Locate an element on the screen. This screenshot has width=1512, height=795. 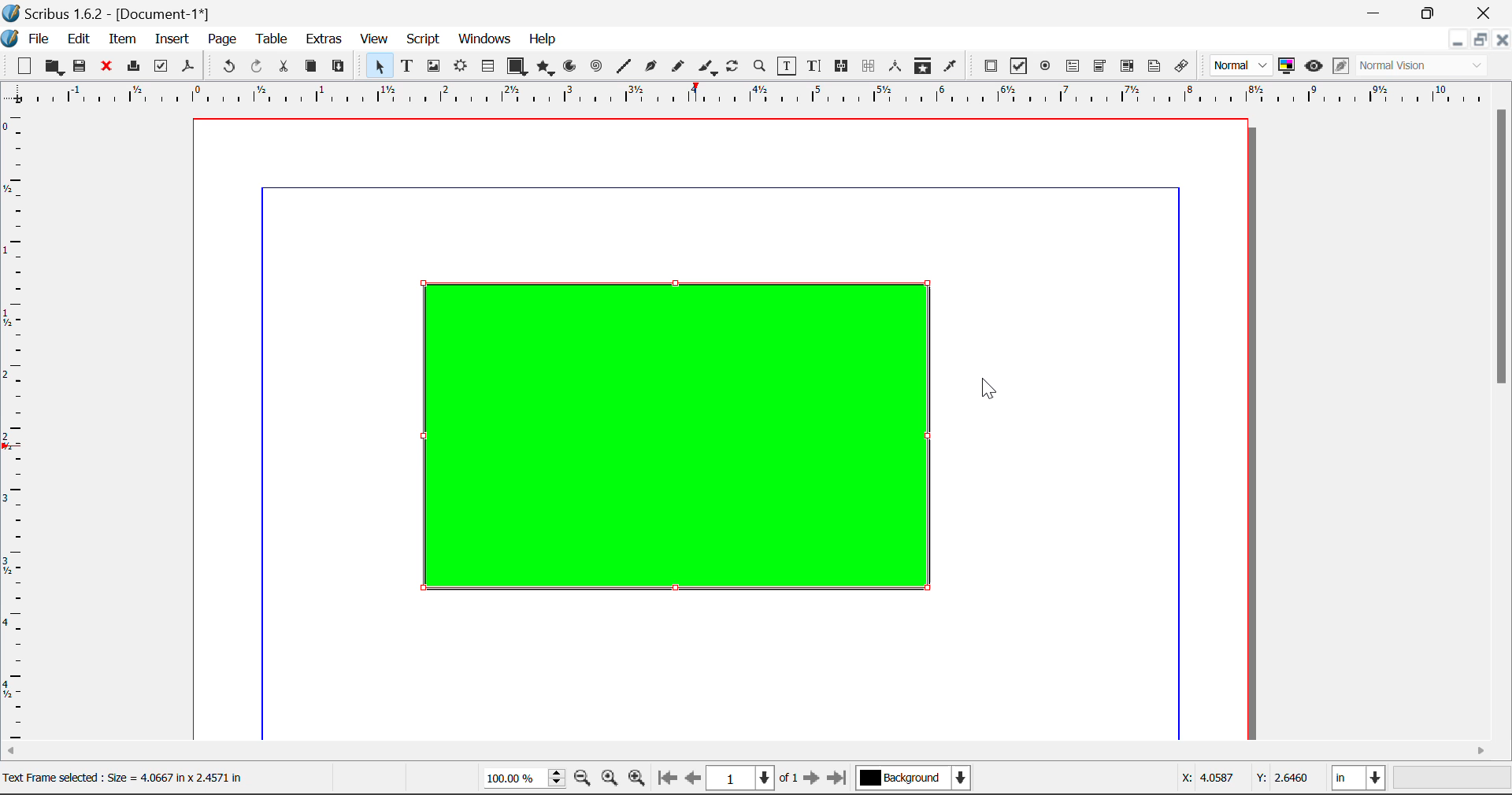
Text Annotation is located at coordinates (1154, 66).